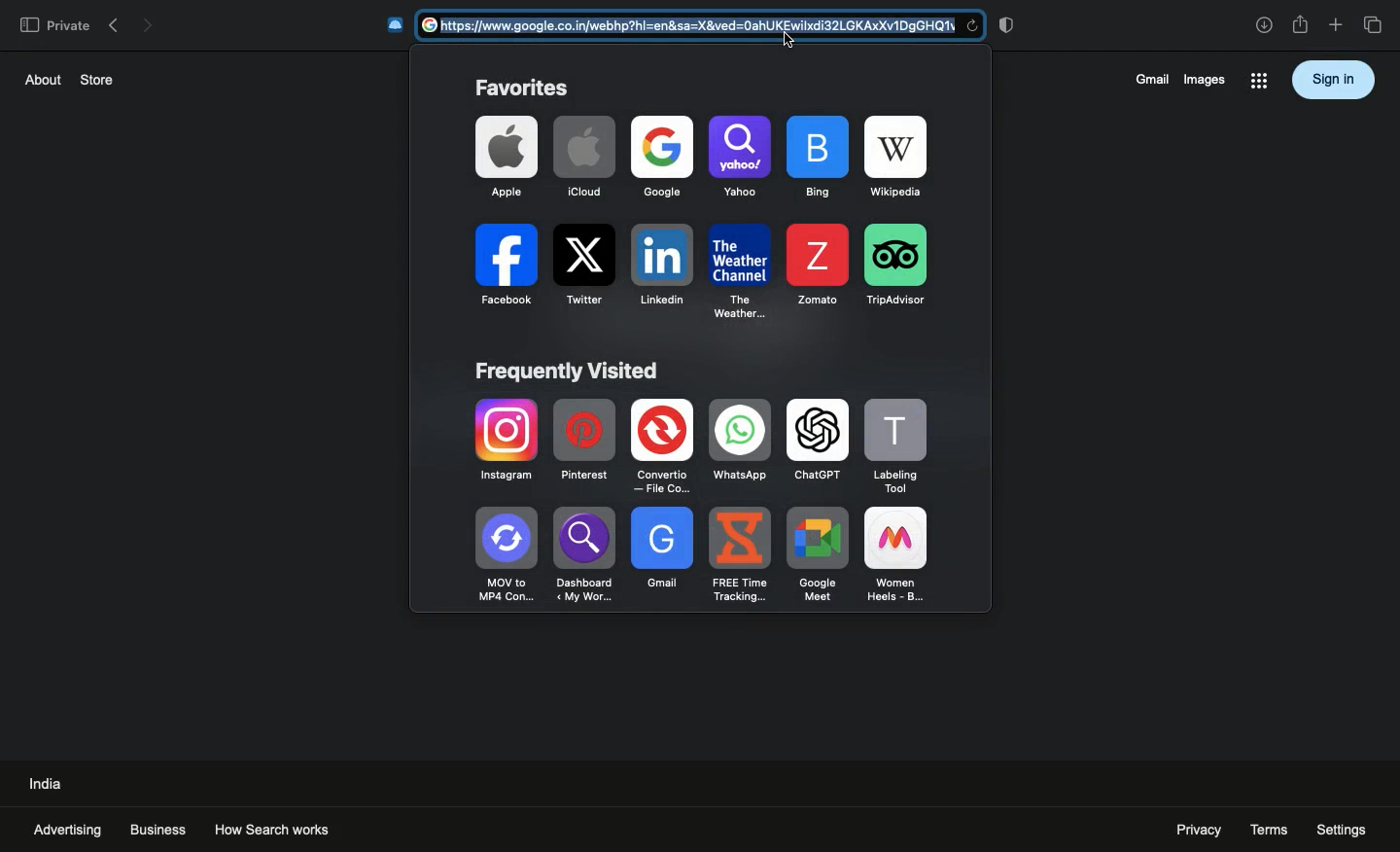 This screenshot has height=852, width=1400. What do you see at coordinates (48, 782) in the screenshot?
I see `india` at bounding box center [48, 782].